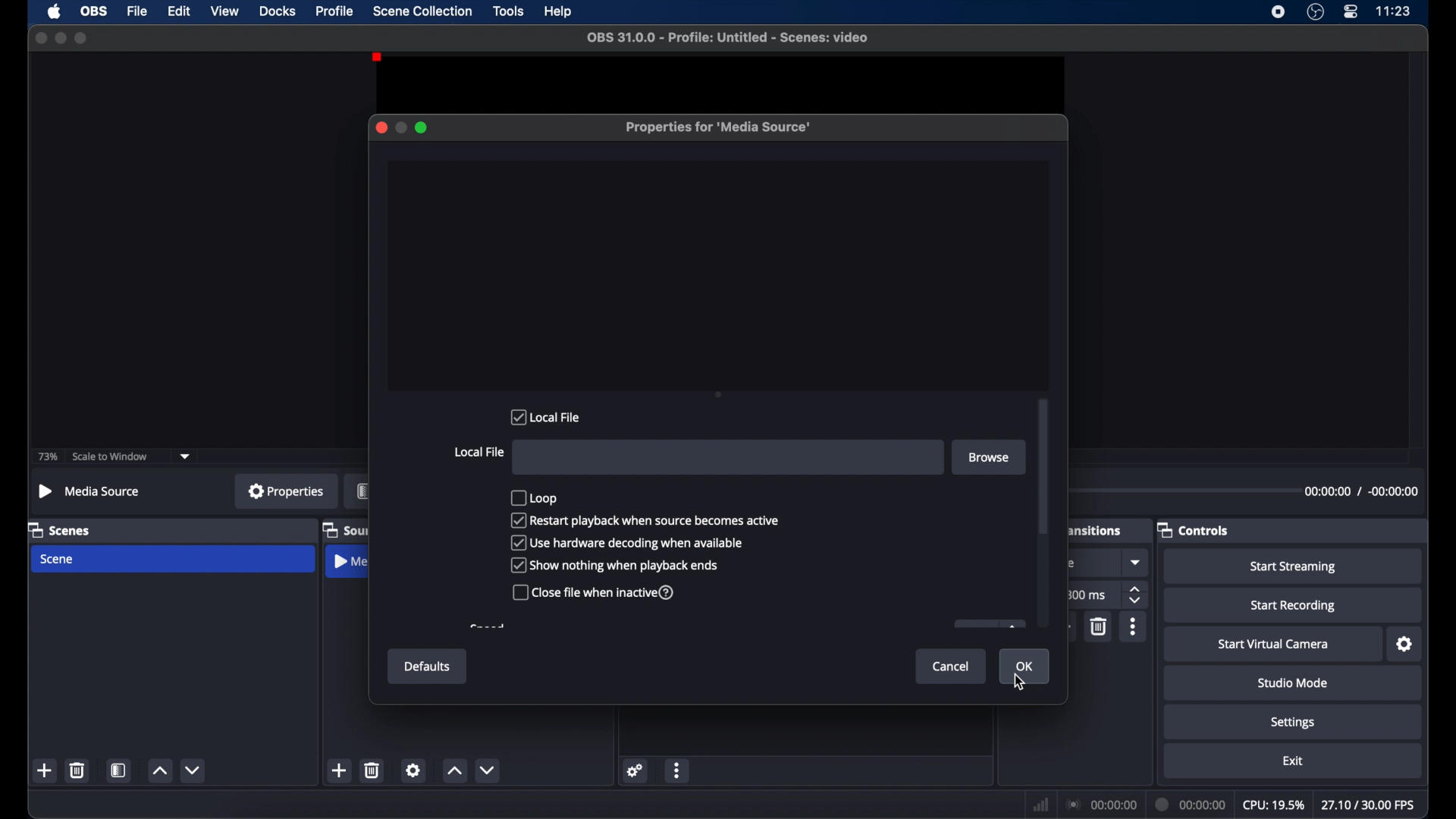 The image size is (1456, 819). Describe the element at coordinates (1394, 10) in the screenshot. I see `time` at that location.